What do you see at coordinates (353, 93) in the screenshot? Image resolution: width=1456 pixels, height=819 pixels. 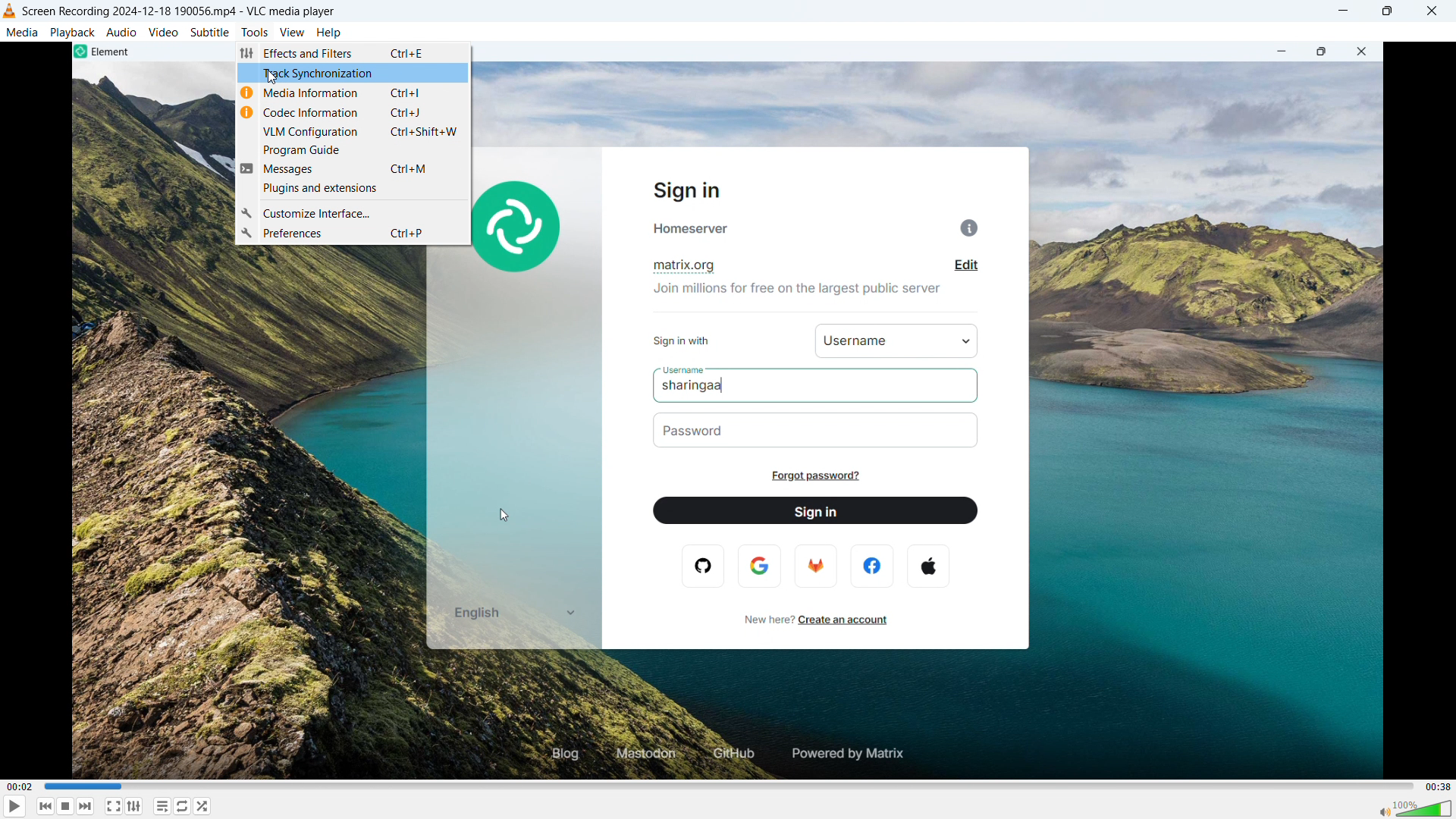 I see `media information` at bounding box center [353, 93].